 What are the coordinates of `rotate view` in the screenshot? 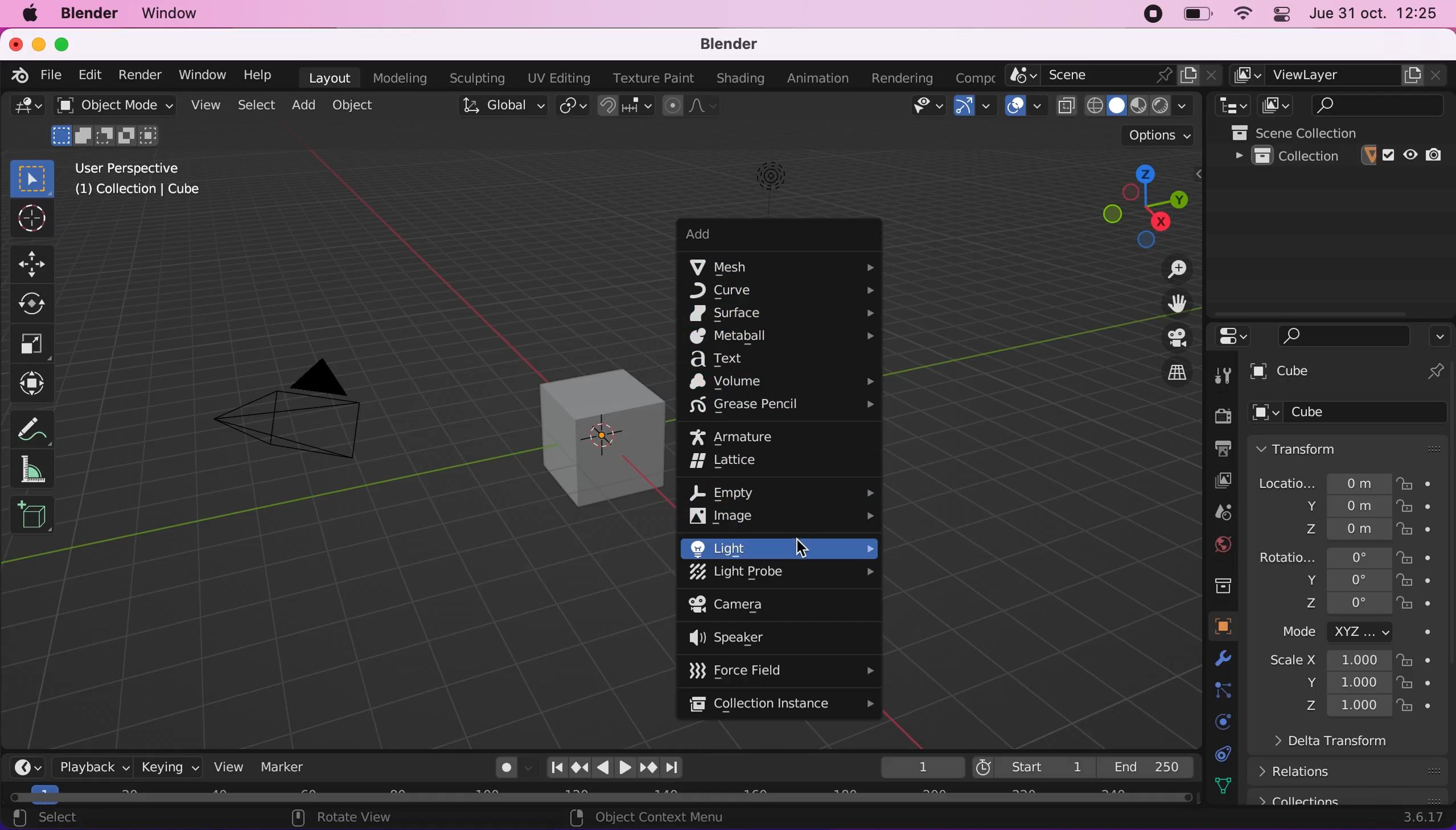 It's located at (360, 817).